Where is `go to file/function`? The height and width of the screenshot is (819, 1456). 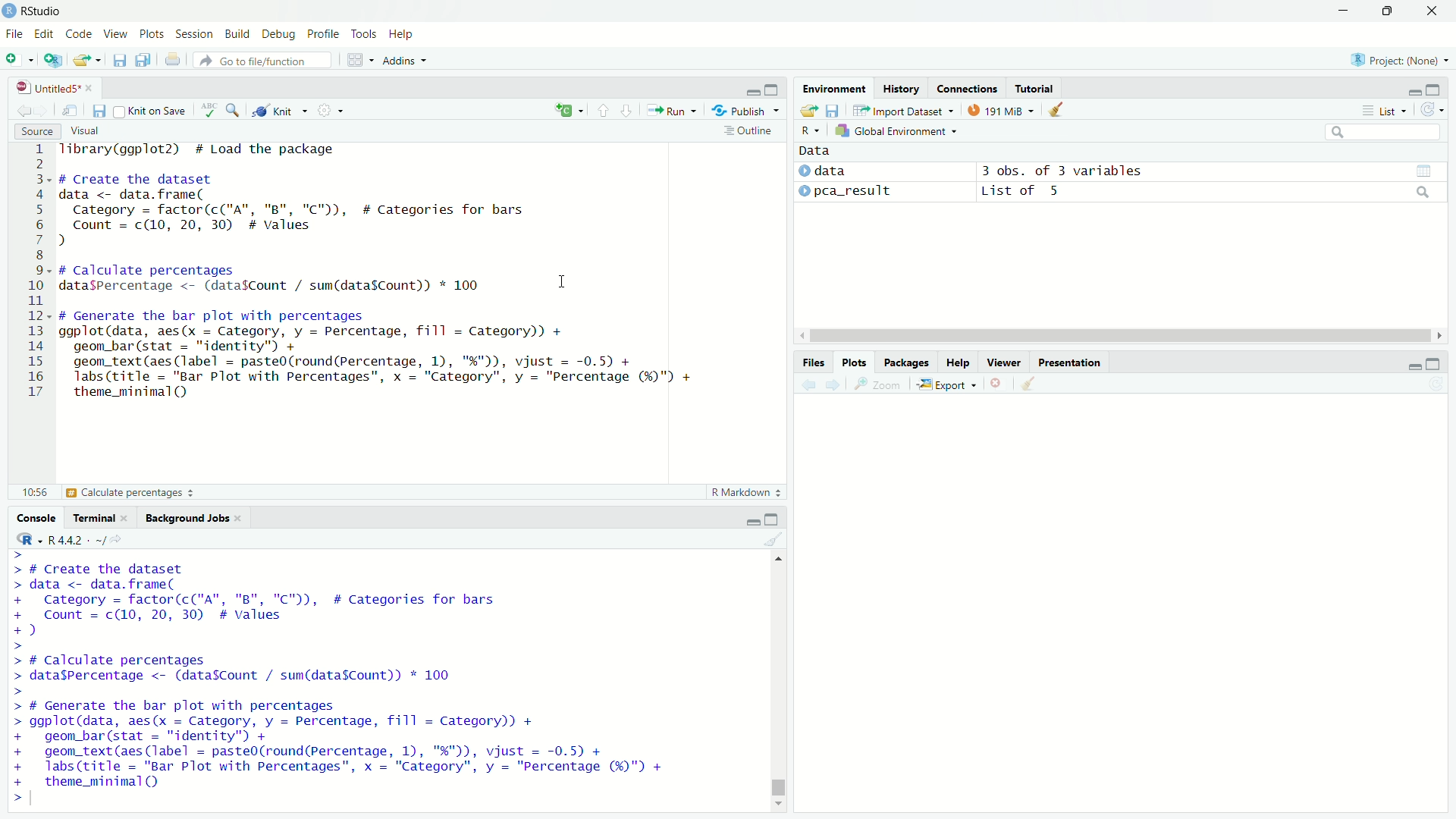 go to file/function is located at coordinates (264, 59).